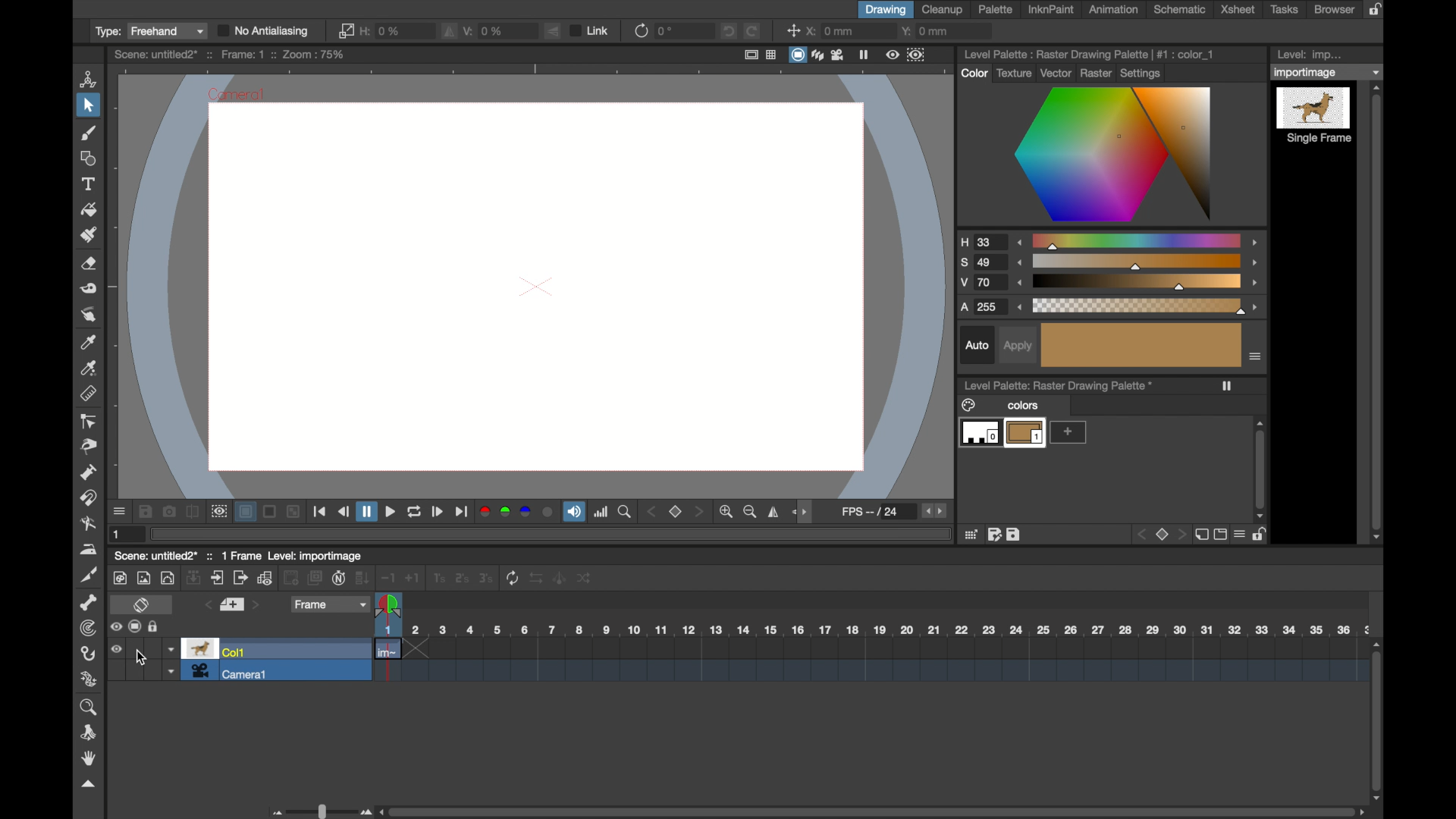  Describe the element at coordinates (1378, 716) in the screenshot. I see `scroll box` at that location.